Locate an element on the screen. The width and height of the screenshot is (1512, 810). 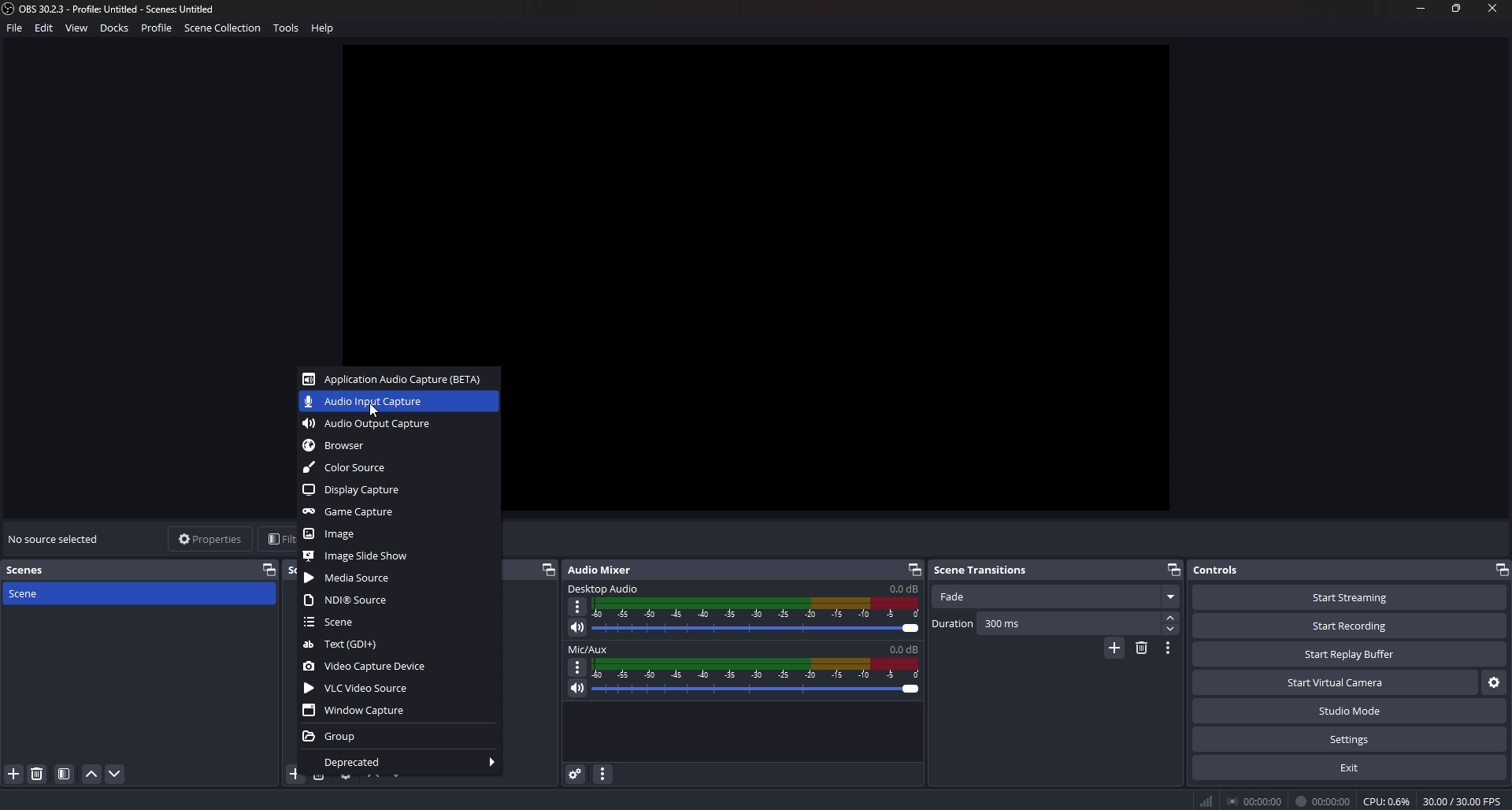
scene is located at coordinates (41, 593).